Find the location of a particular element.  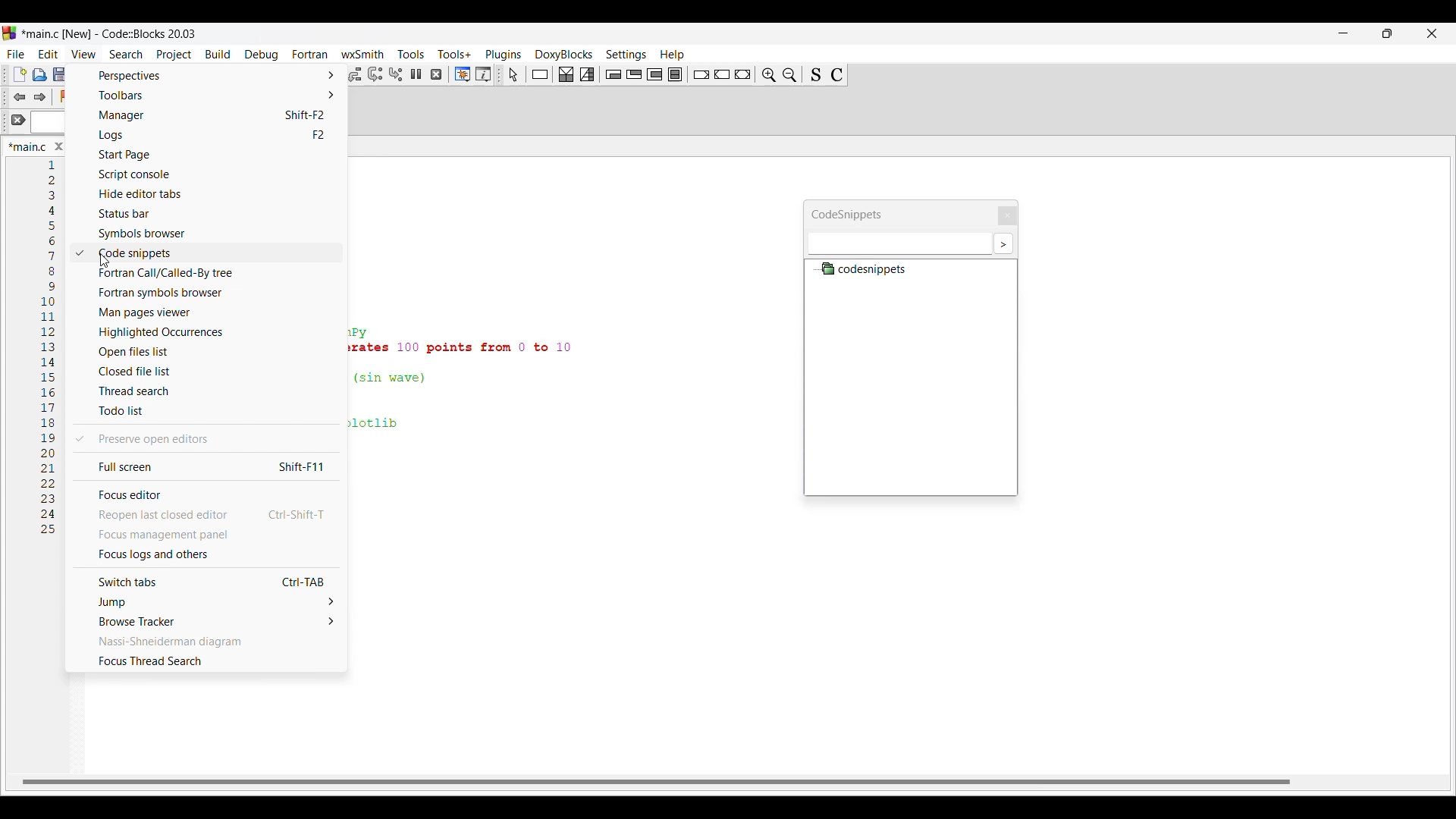

Step into instruction is located at coordinates (395, 74).